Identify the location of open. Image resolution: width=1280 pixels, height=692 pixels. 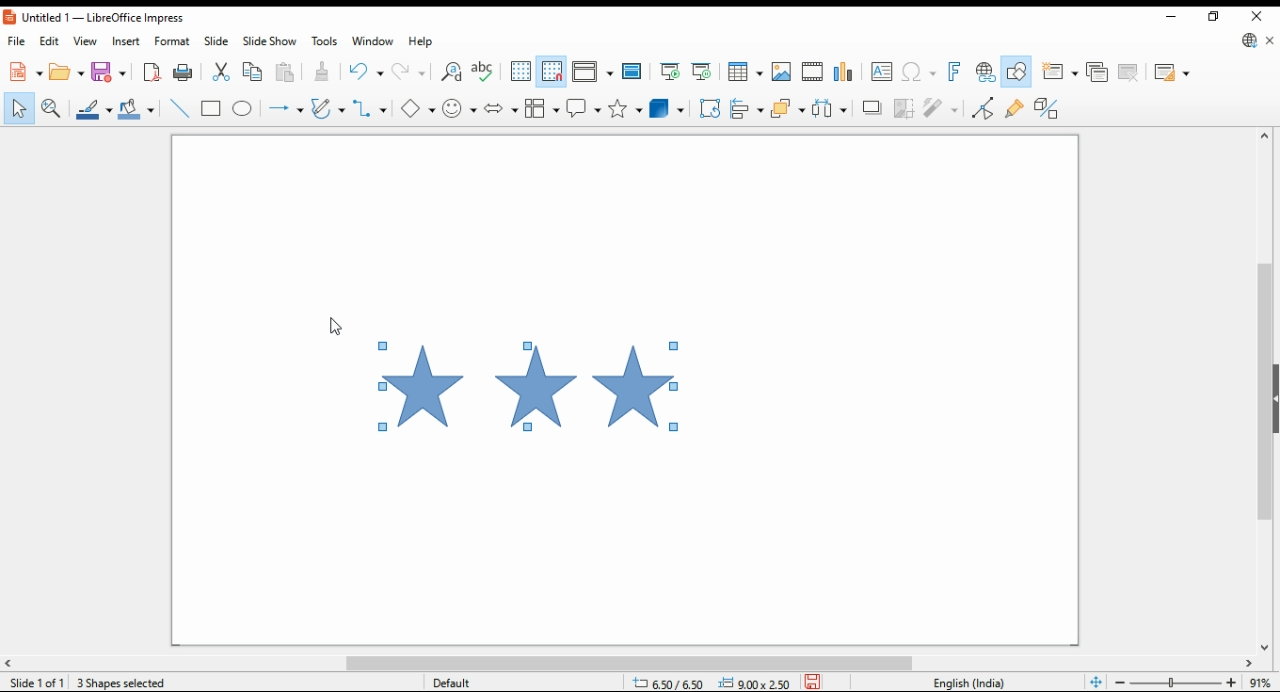
(67, 71).